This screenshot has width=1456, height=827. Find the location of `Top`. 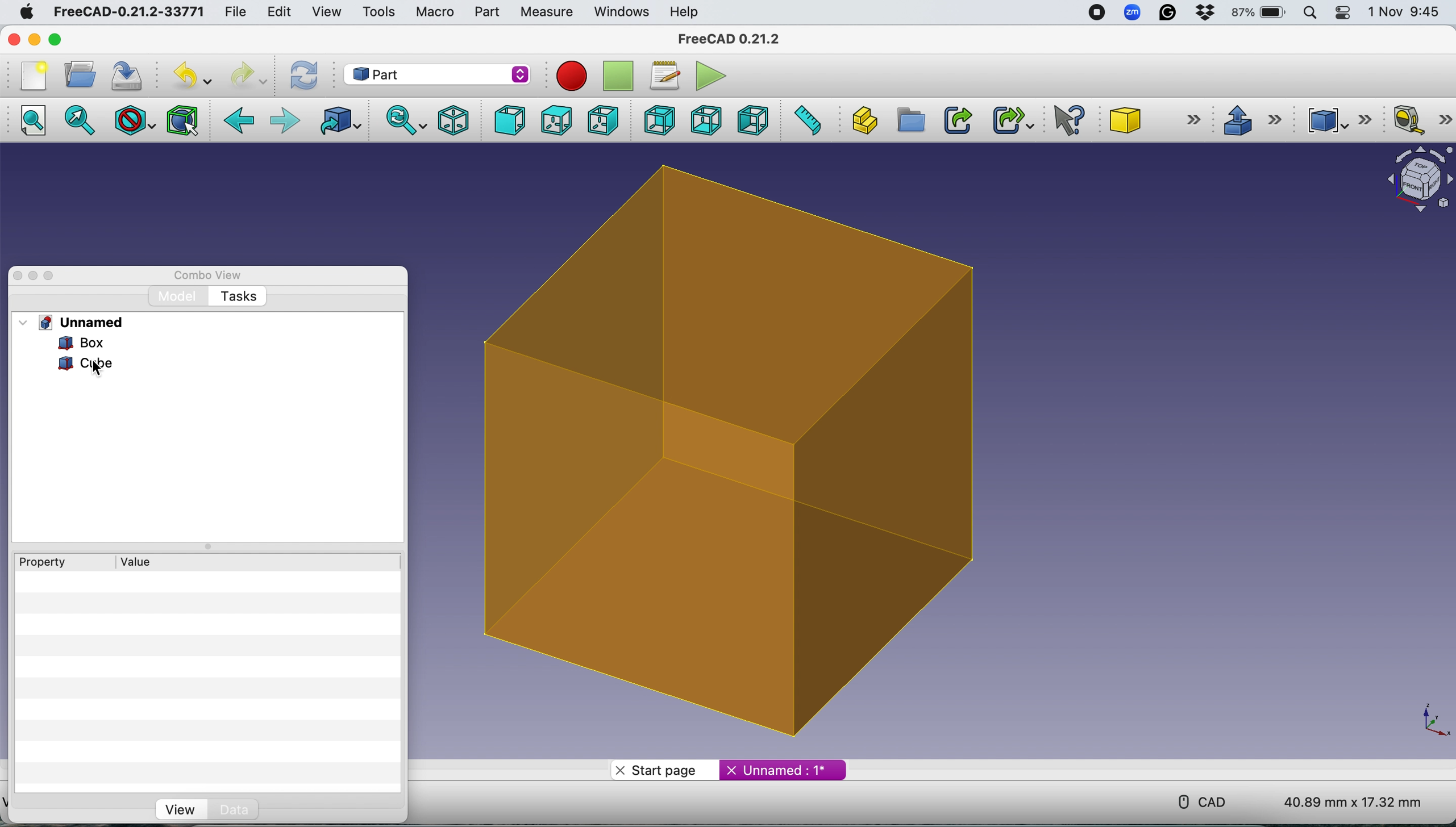

Top is located at coordinates (555, 121).